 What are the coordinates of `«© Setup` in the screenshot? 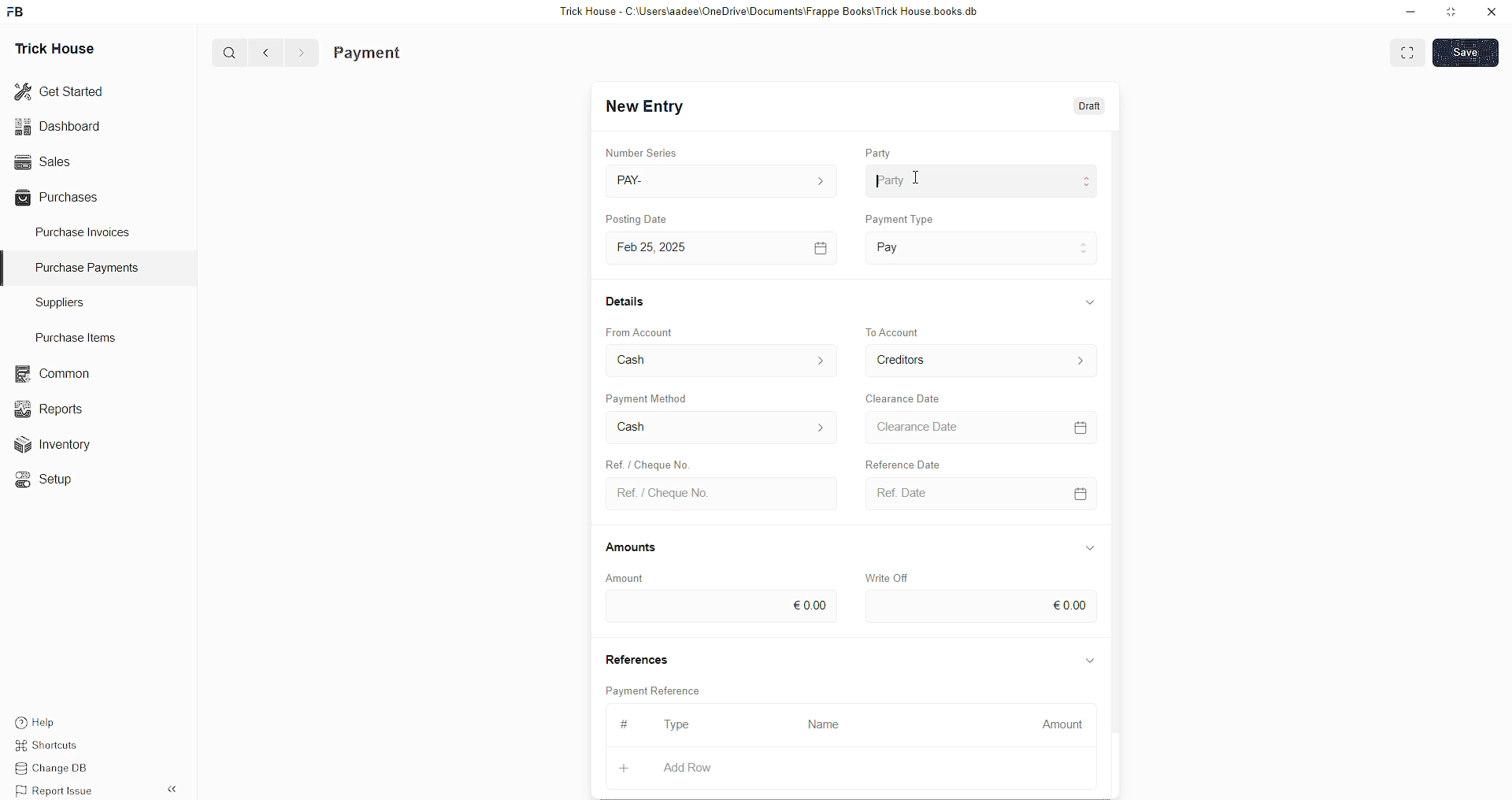 It's located at (49, 480).